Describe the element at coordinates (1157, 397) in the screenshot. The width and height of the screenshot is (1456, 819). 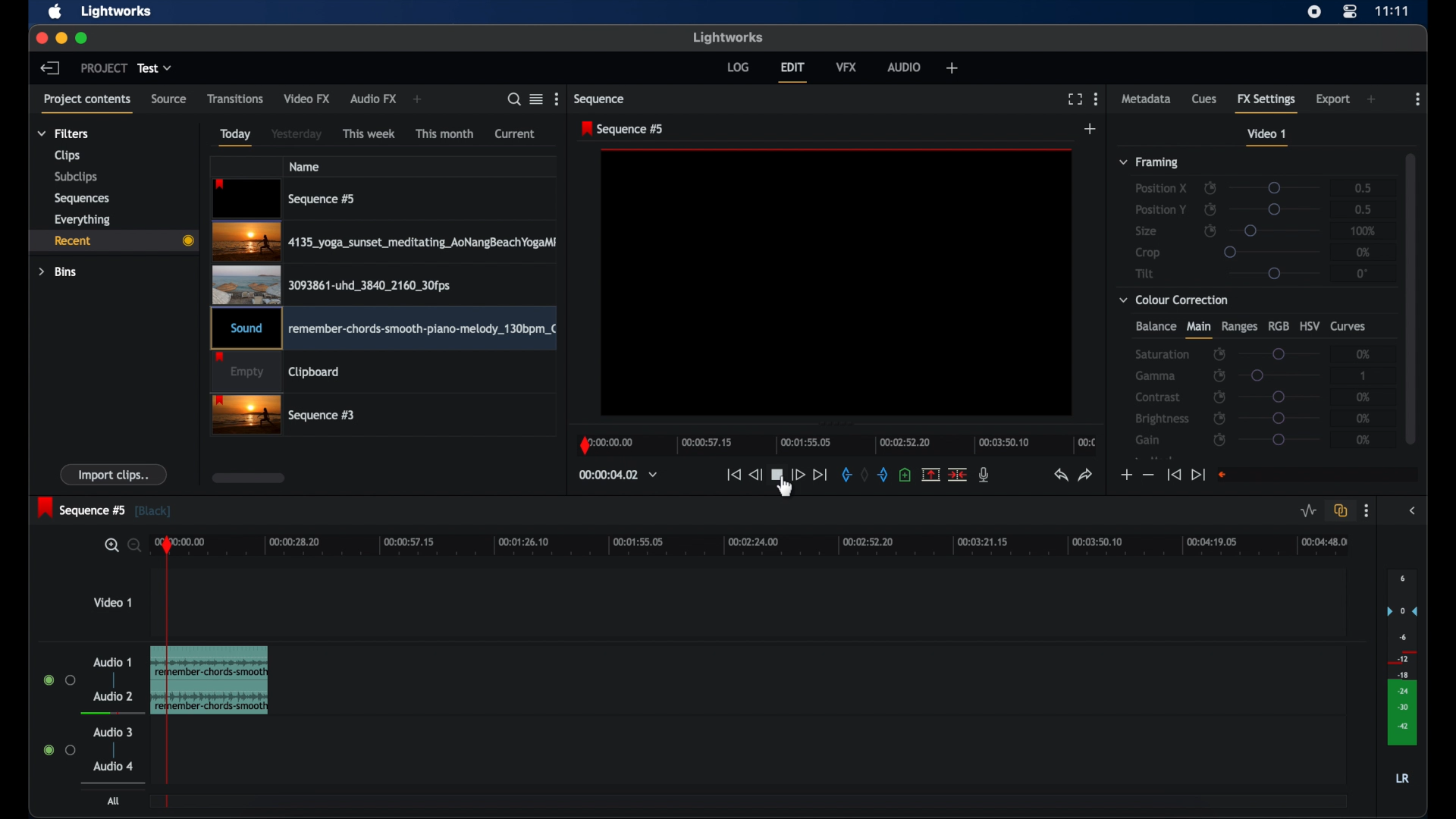
I see `contrast` at that location.